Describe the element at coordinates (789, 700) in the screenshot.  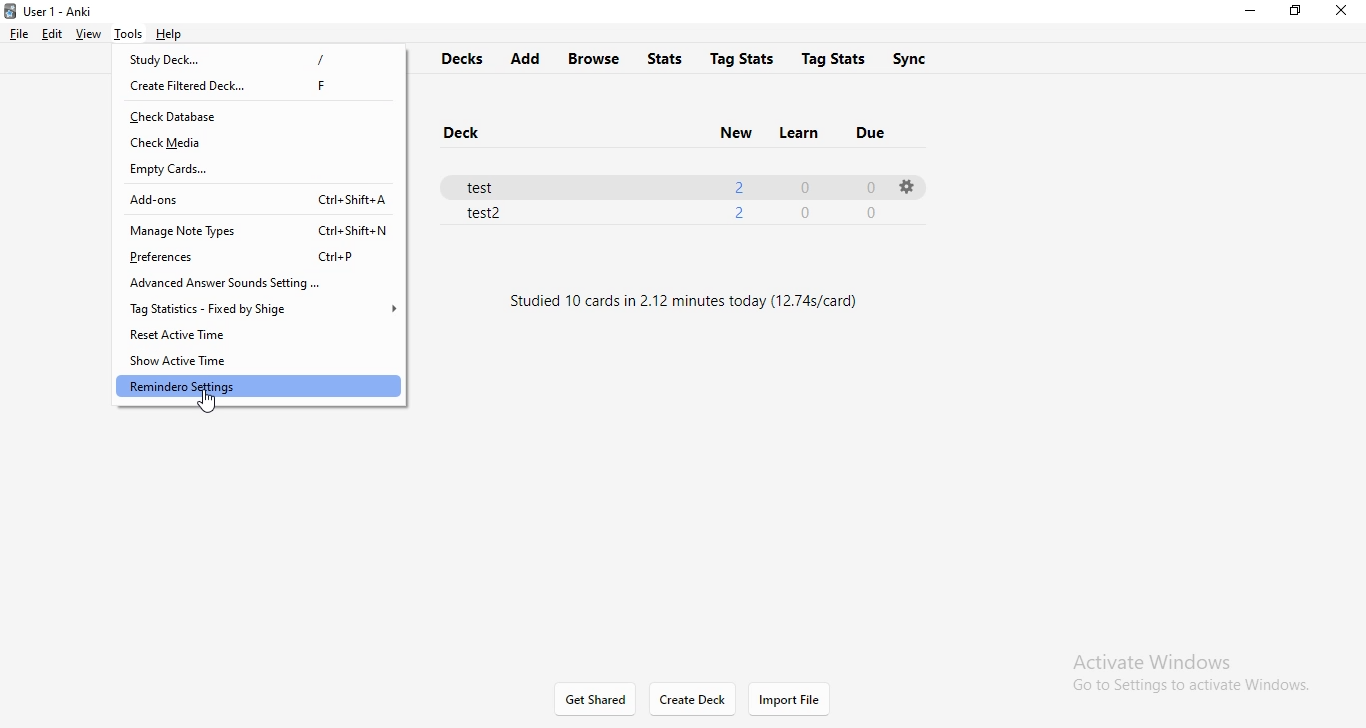
I see `import` at that location.